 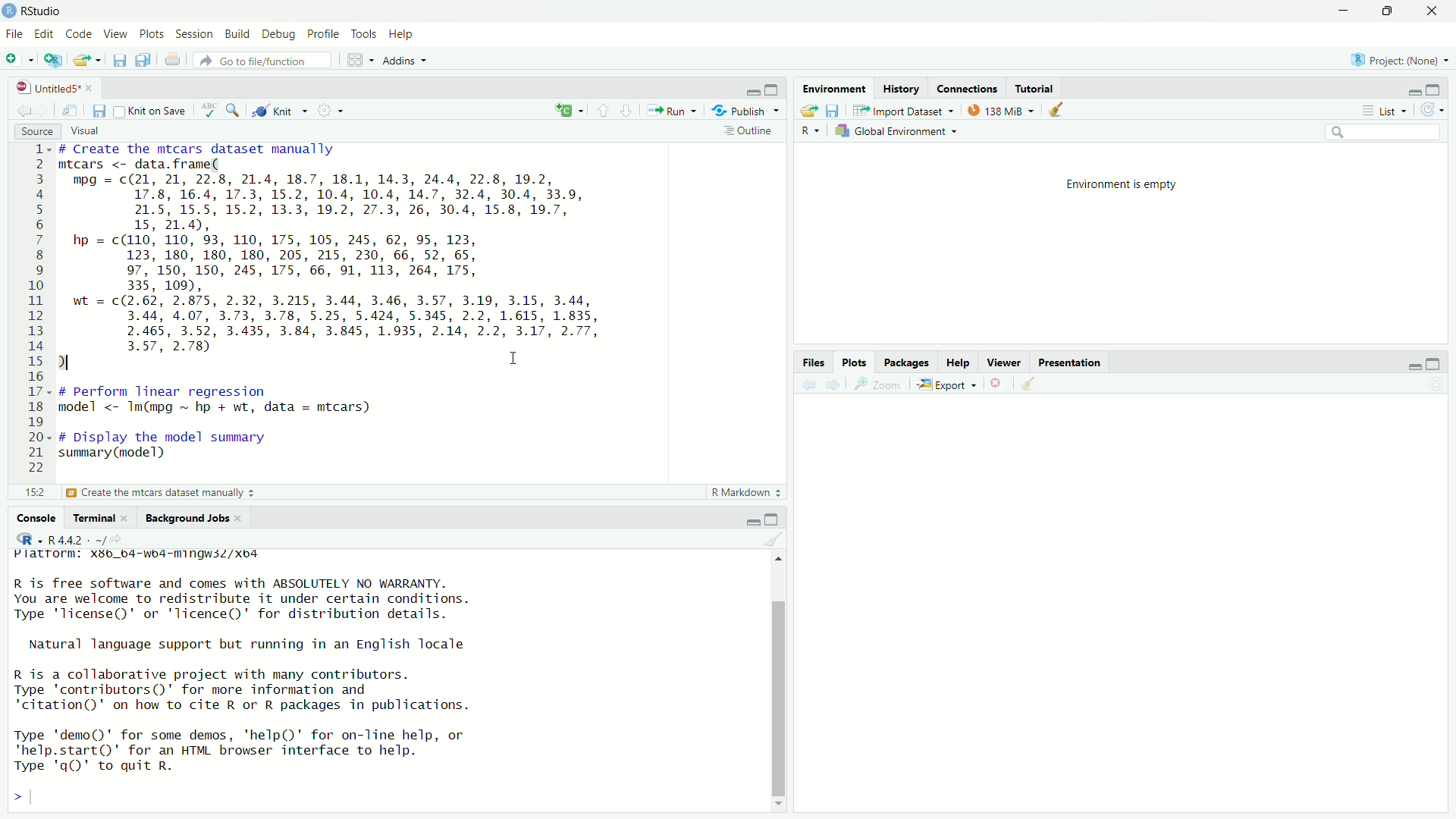 I want to click on # Create the mtcars dataset manually
mtcars <- data. frame(
mpg = c(21, 21, 22.8, 21.4, 18.7, 18.1, 14.3, 24.4, 22.8, 19.2,
17.8, 16.4, 17.3, 15.2, 10.4, 10.4, 14.7, 32.4, 30.4, 33.9,
21.5, 15.5, 15.2, 13.3, 19.2, 27.3, 26, 30.4, 15.8, 19.7,
15, 21.4),
hp = c(110, 110, 93, 110, 175, 105, 245, 62, 95, 123,
123, 180, 180, 180, 205, 215, 230, 66, 52, 65,
97, 150, 150, 245, 175, 66, 91, 113, 264, 175,
335, 109),
wt = c(2.62, 2.875, 2.32, 3.215, 3.44, 3.46, 3.57, 3.19, 3.15, 3.44,
3.44, 4.07, 3.73, 3.78, 5.25, 5.424, 5.345, 2.2, 1.615, 1.835,
2.465, 3.52, 3.435, 3.84, 3.845, 1.935, 2.14, 2.2, 3.17, 2.77,
3.57, 2.78)
) I
# perform linear regression
model <- Im(mpg ~ hp + wt, data = mtcars)
# Display the model summary
summary (model), so click(x=331, y=305).